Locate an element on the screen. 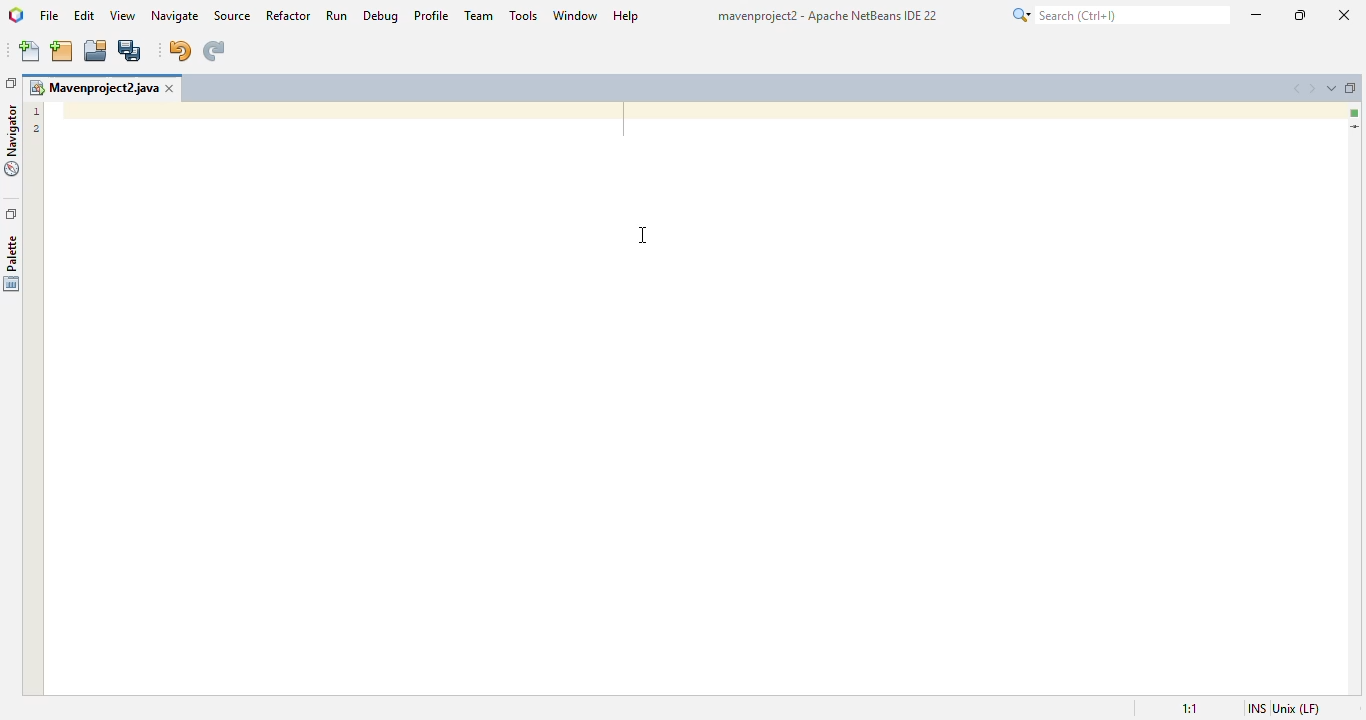 Image resolution: width=1366 pixels, height=720 pixels. edit is located at coordinates (84, 15).